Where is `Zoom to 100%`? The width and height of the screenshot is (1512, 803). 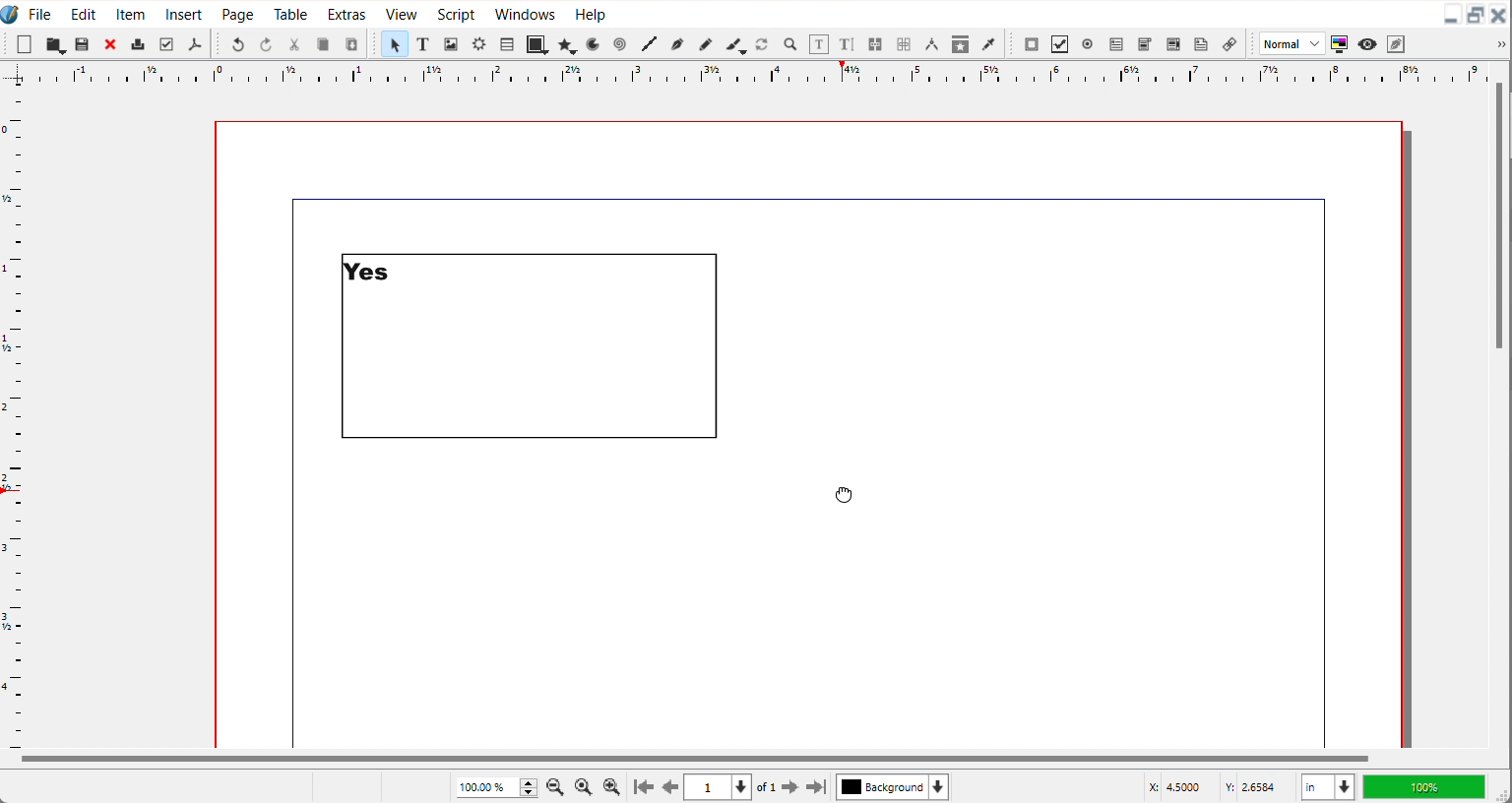 Zoom to 100% is located at coordinates (585, 785).